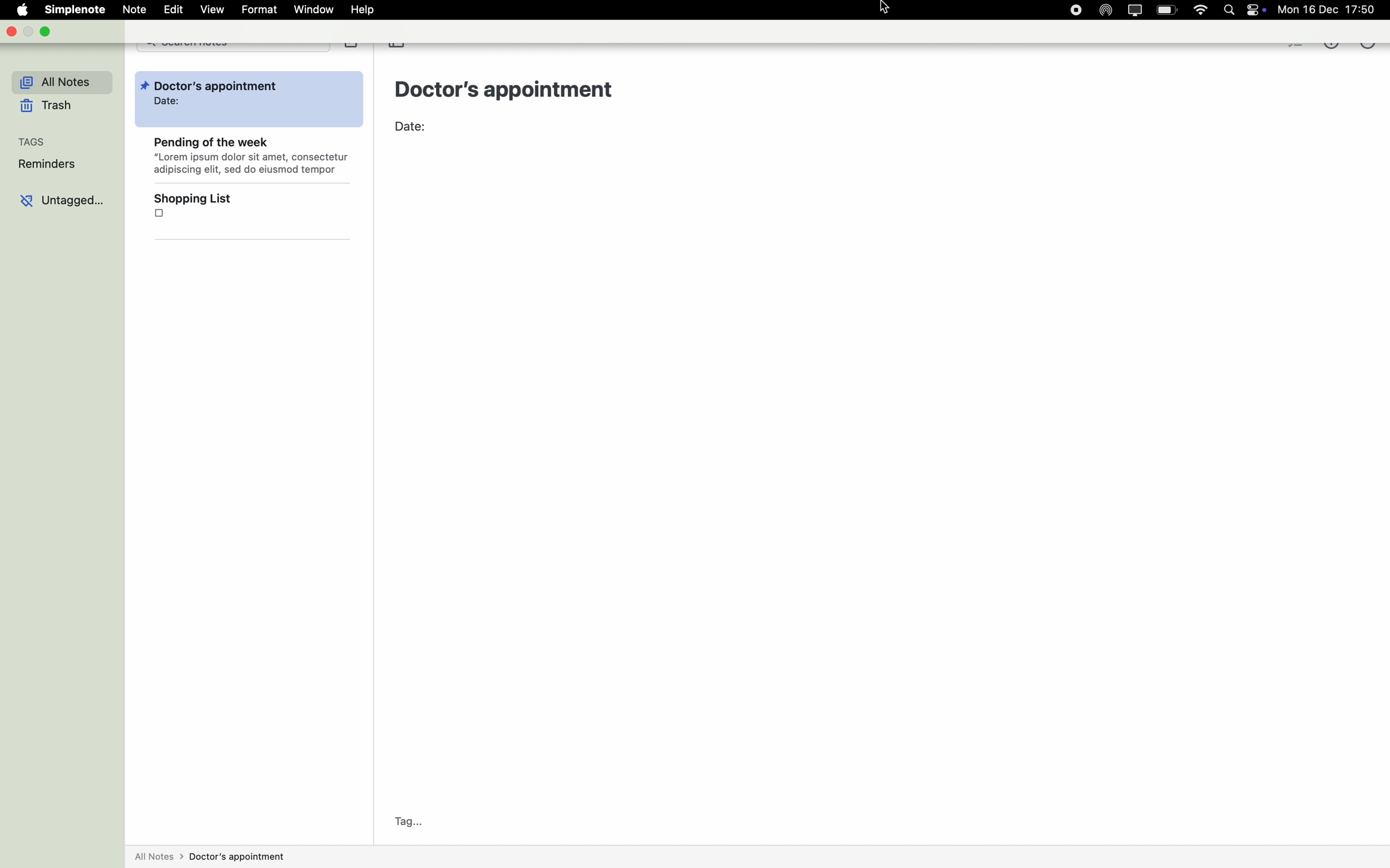 The width and height of the screenshot is (1390, 868). Describe the element at coordinates (408, 822) in the screenshot. I see `tag` at that location.